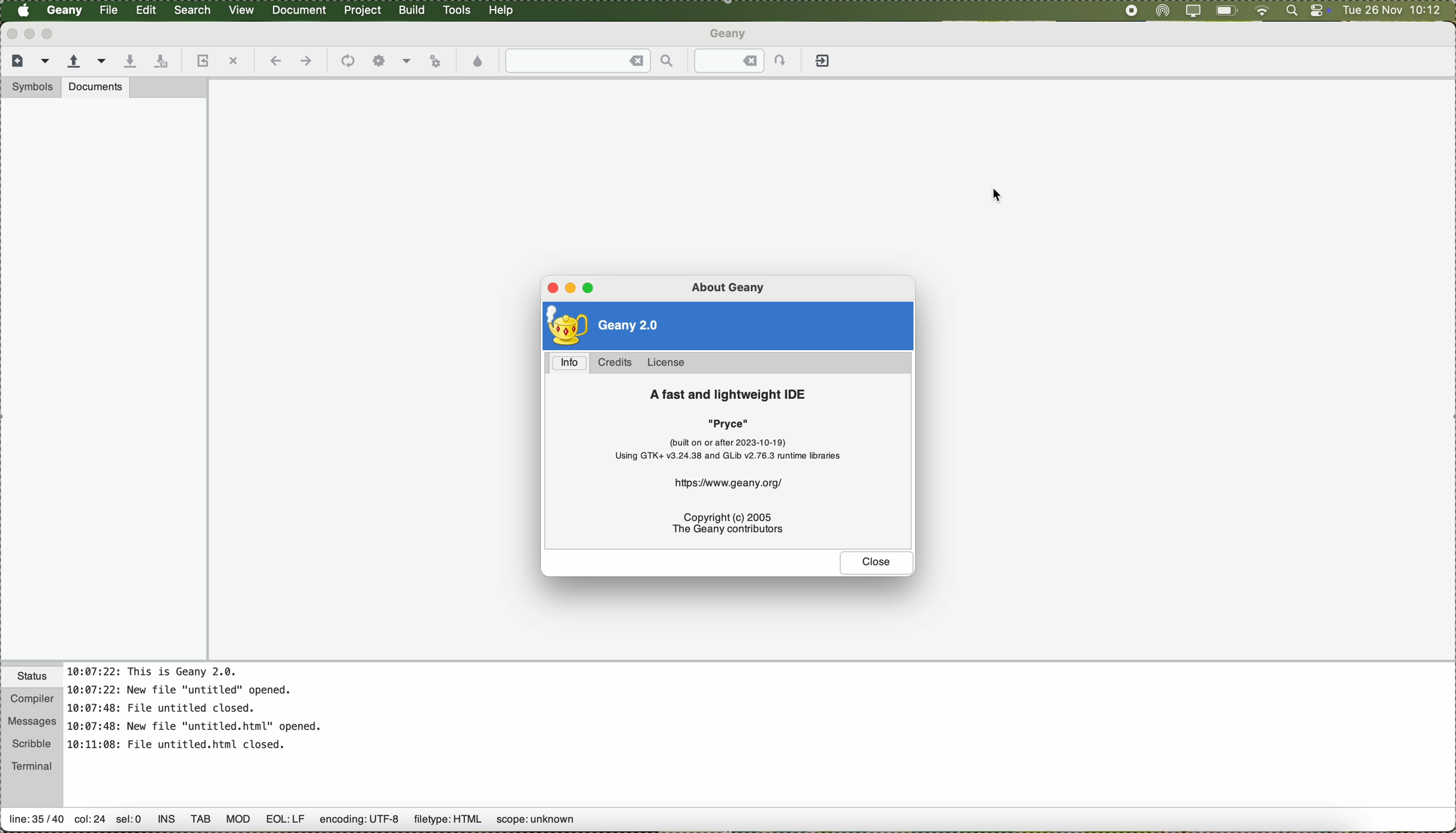  Describe the element at coordinates (1161, 11) in the screenshot. I see `airdrop` at that location.